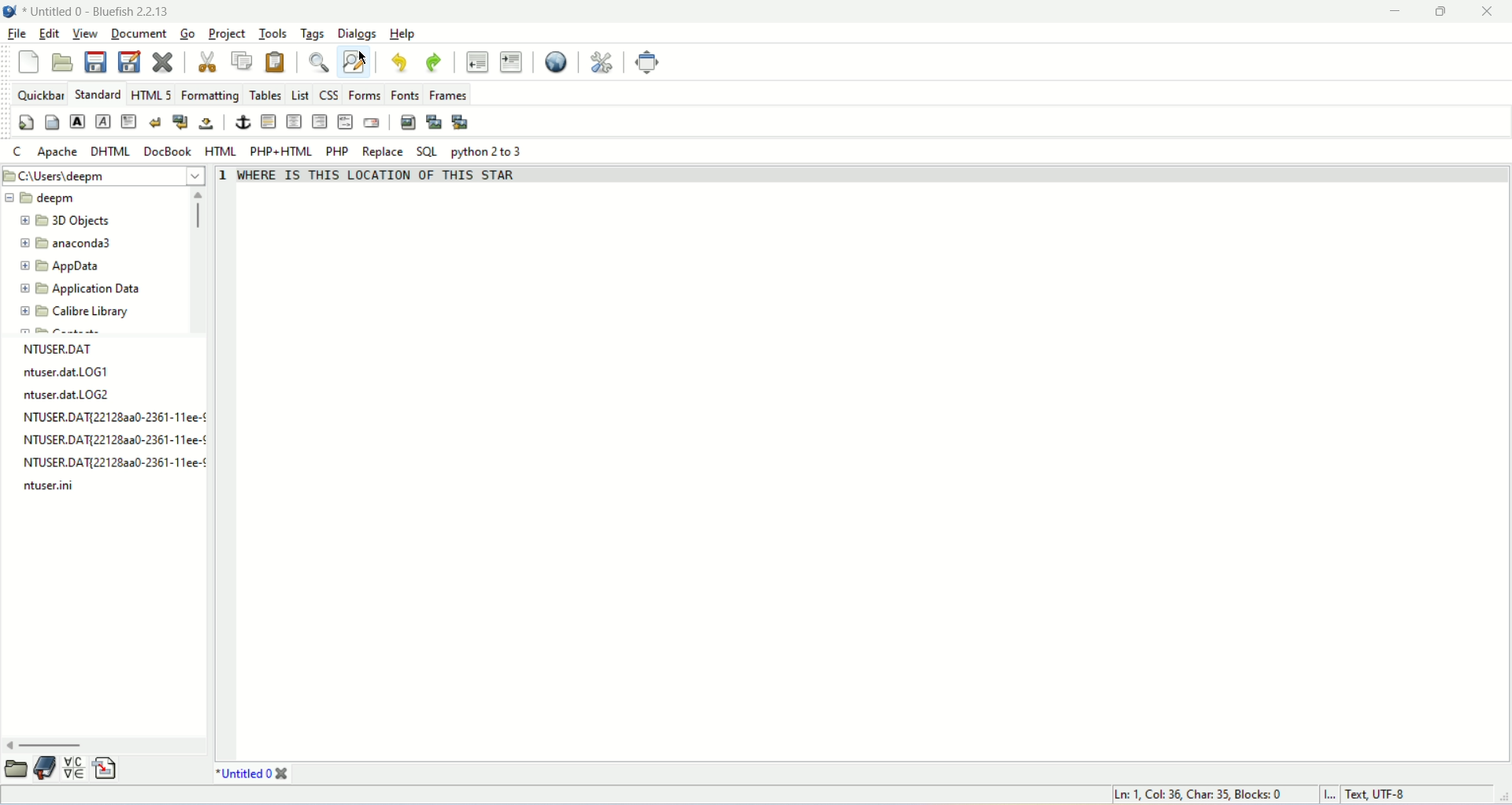 The image size is (1512, 805). Describe the element at coordinates (401, 34) in the screenshot. I see `help` at that location.